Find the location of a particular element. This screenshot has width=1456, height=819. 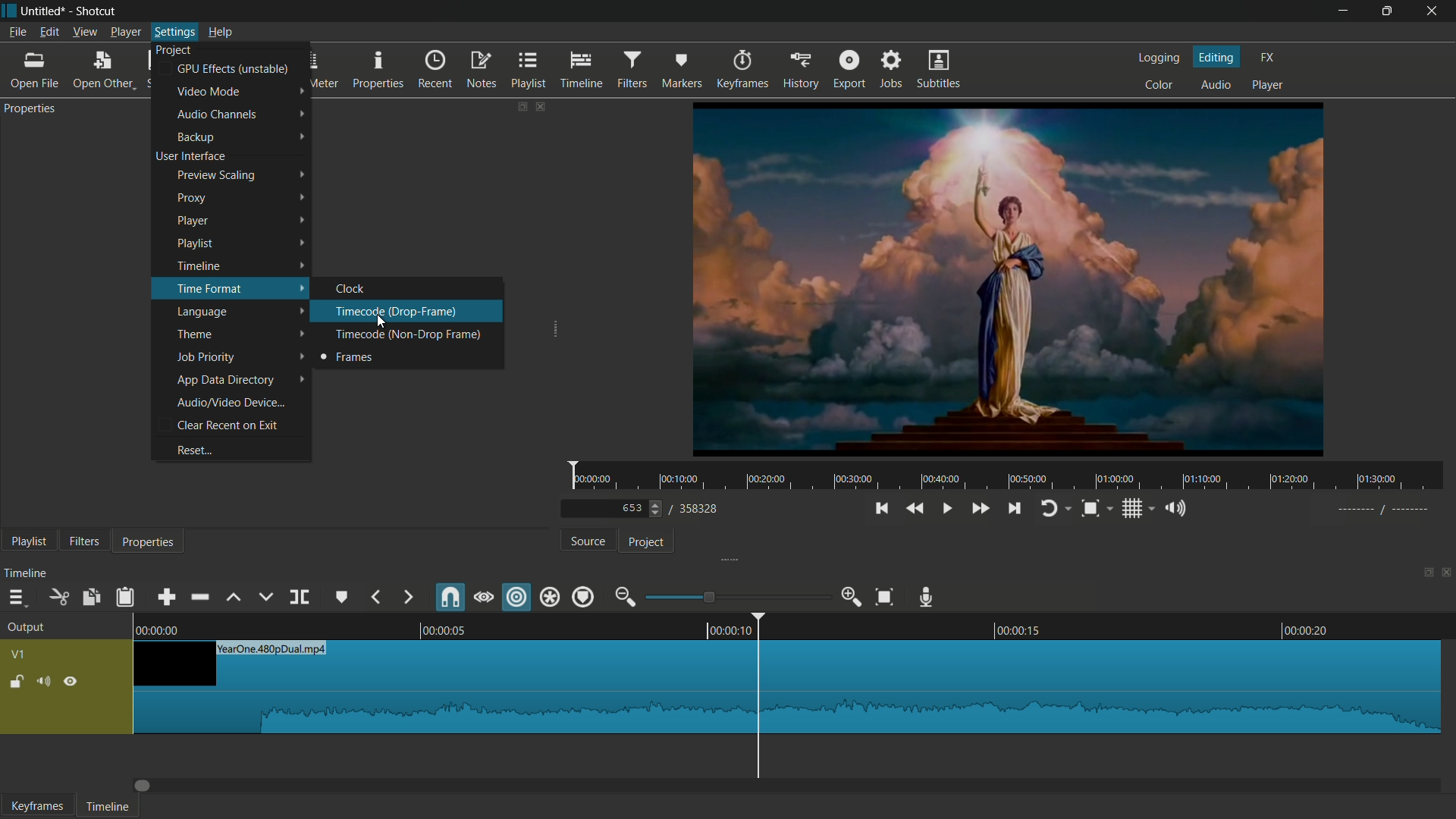

close properties is located at coordinates (540, 106).